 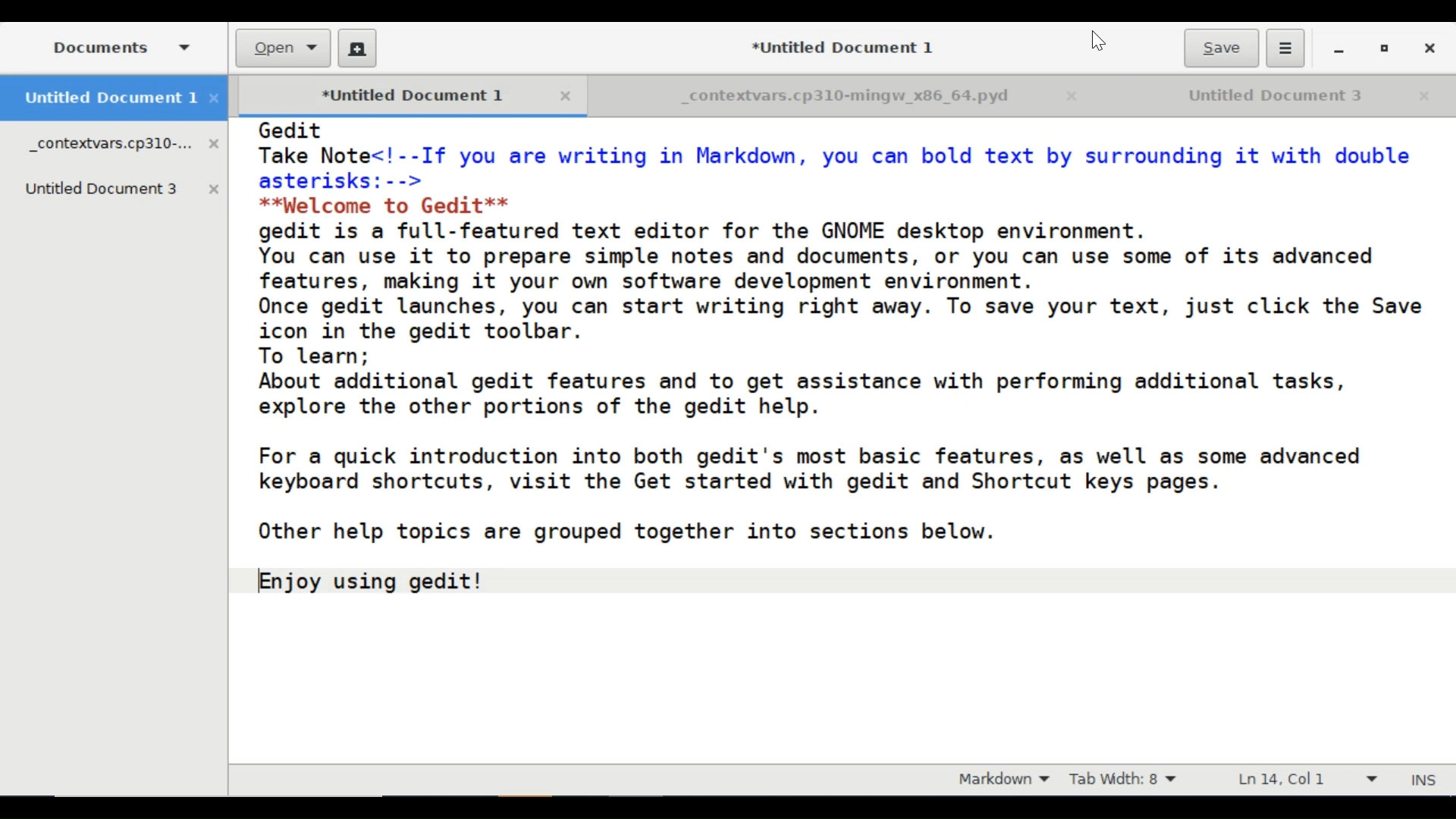 I want to click on minimize, so click(x=1338, y=50).